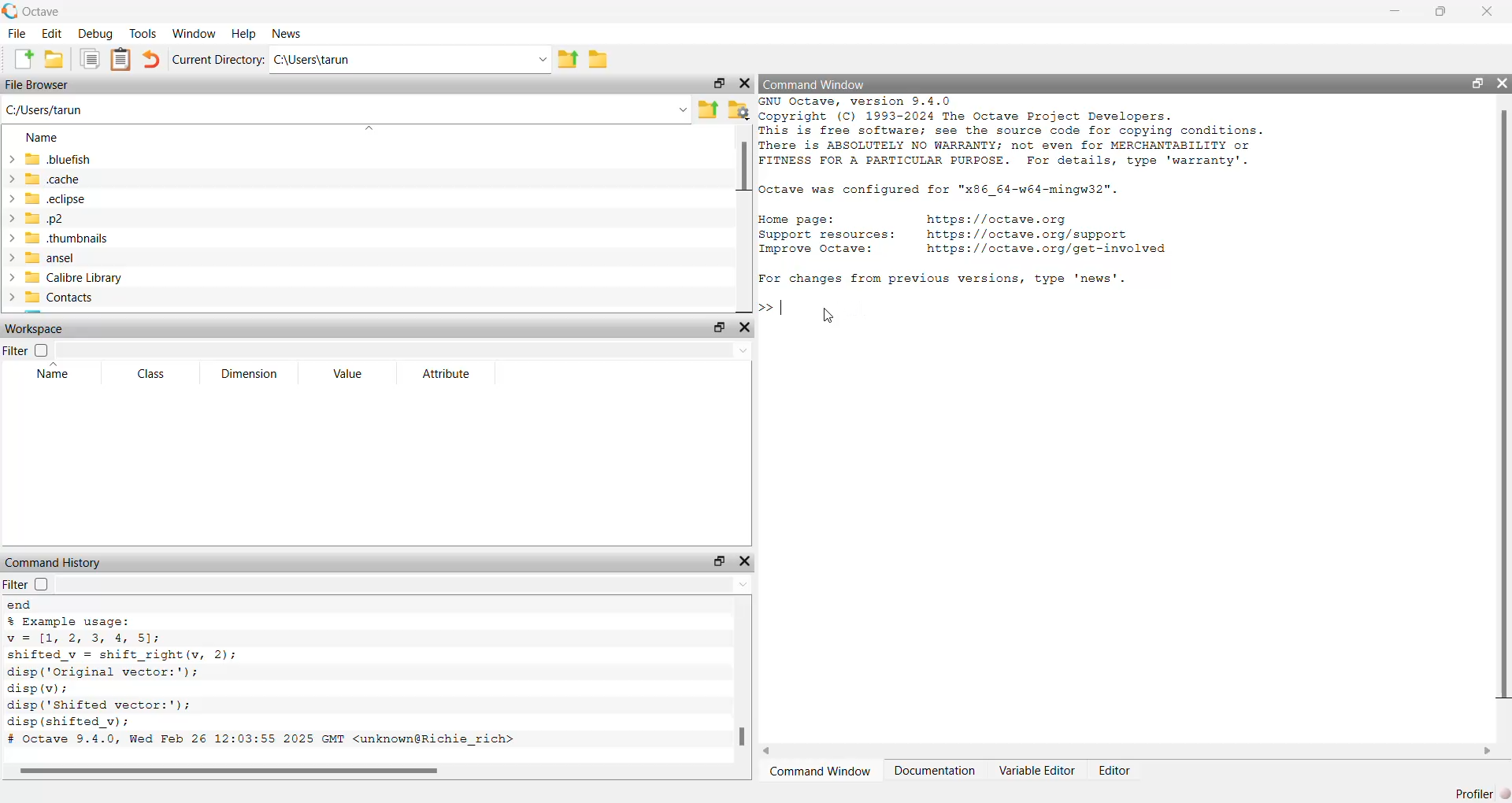 The width and height of the screenshot is (1512, 803). Describe the element at coordinates (747, 83) in the screenshot. I see `hide widget` at that location.